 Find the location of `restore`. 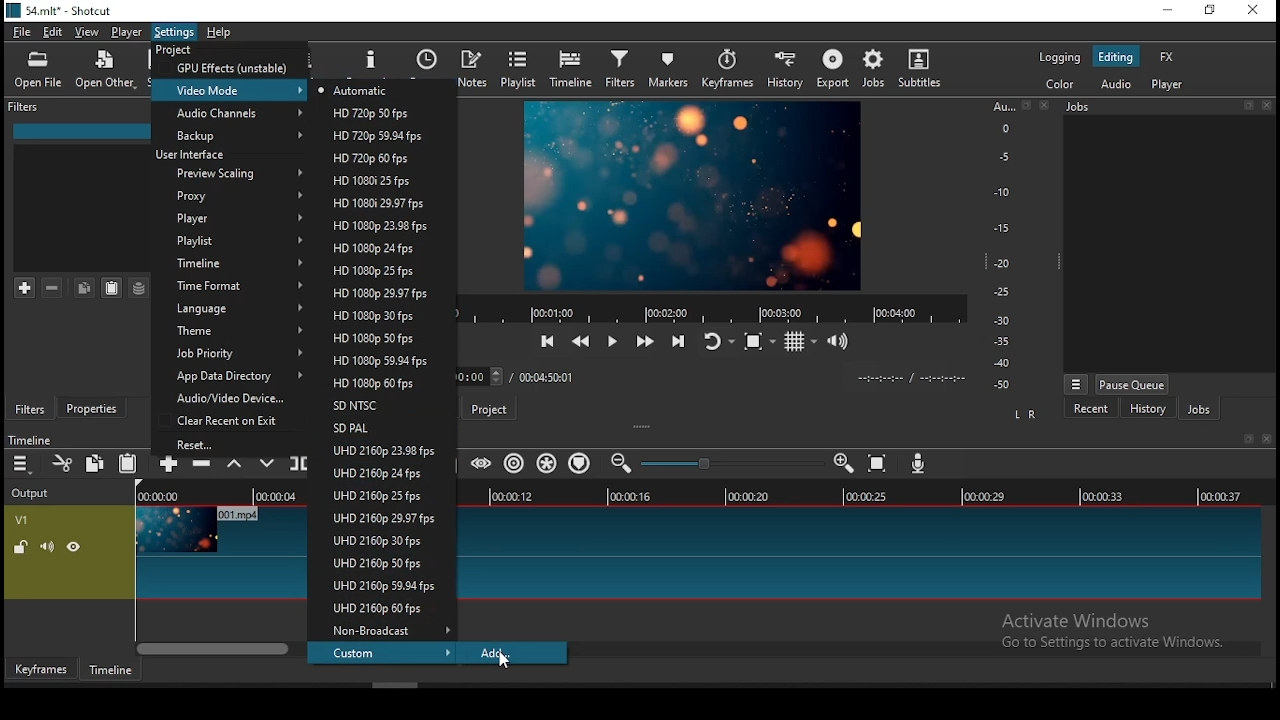

restore is located at coordinates (1026, 106).